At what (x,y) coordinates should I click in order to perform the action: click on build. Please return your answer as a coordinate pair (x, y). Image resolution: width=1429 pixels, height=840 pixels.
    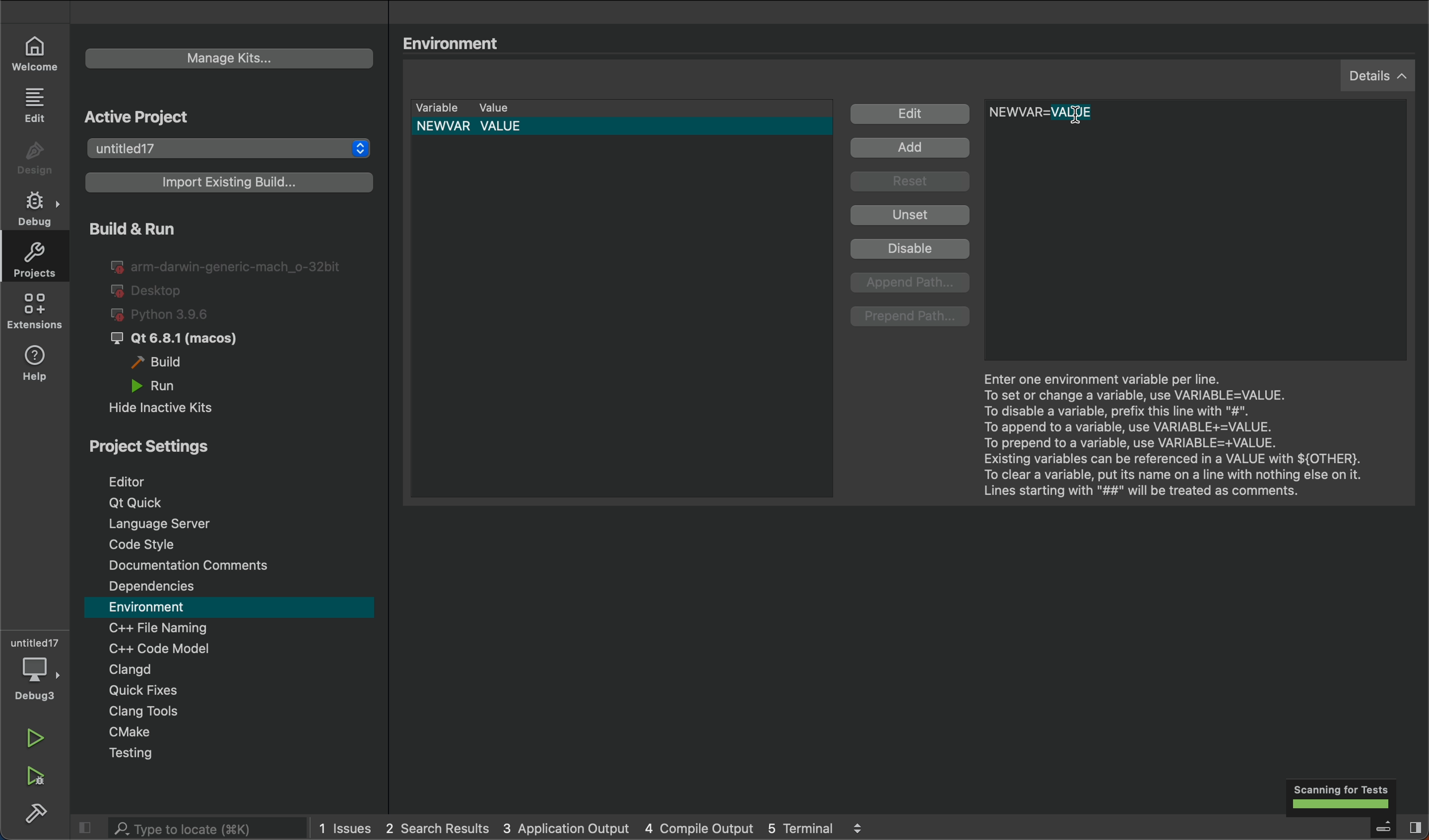
    Looking at the image, I should click on (34, 814).